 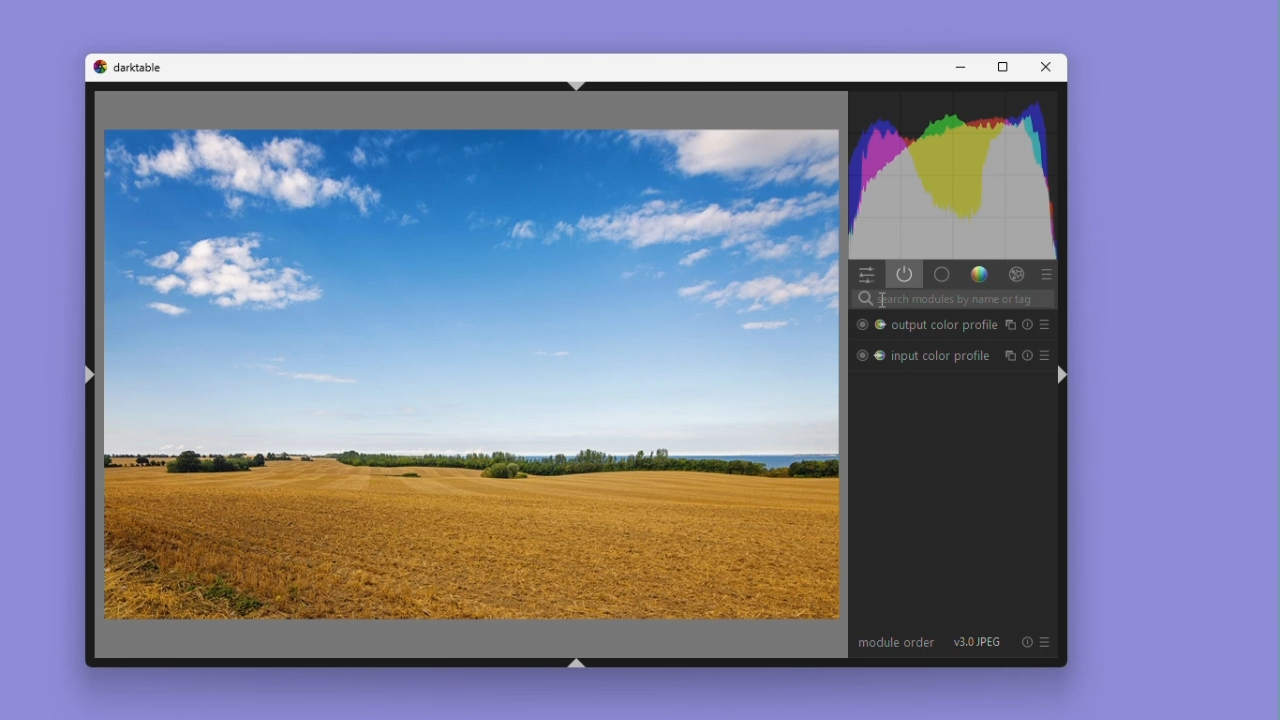 I want to click on Enable/Disable Module Button, so click(x=861, y=354).